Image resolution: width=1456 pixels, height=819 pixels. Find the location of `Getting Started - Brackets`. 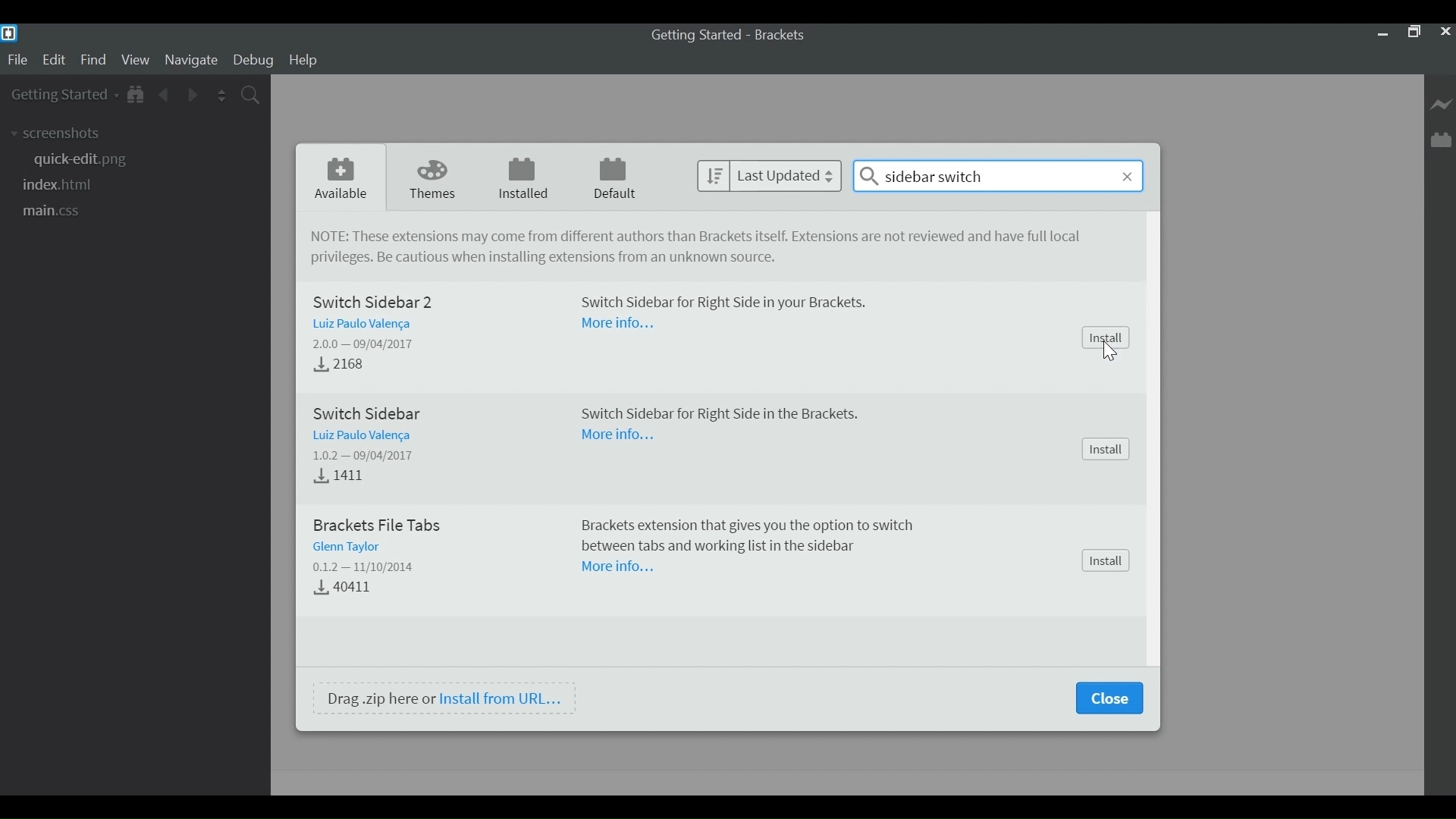

Getting Started - Brackets is located at coordinates (697, 36).